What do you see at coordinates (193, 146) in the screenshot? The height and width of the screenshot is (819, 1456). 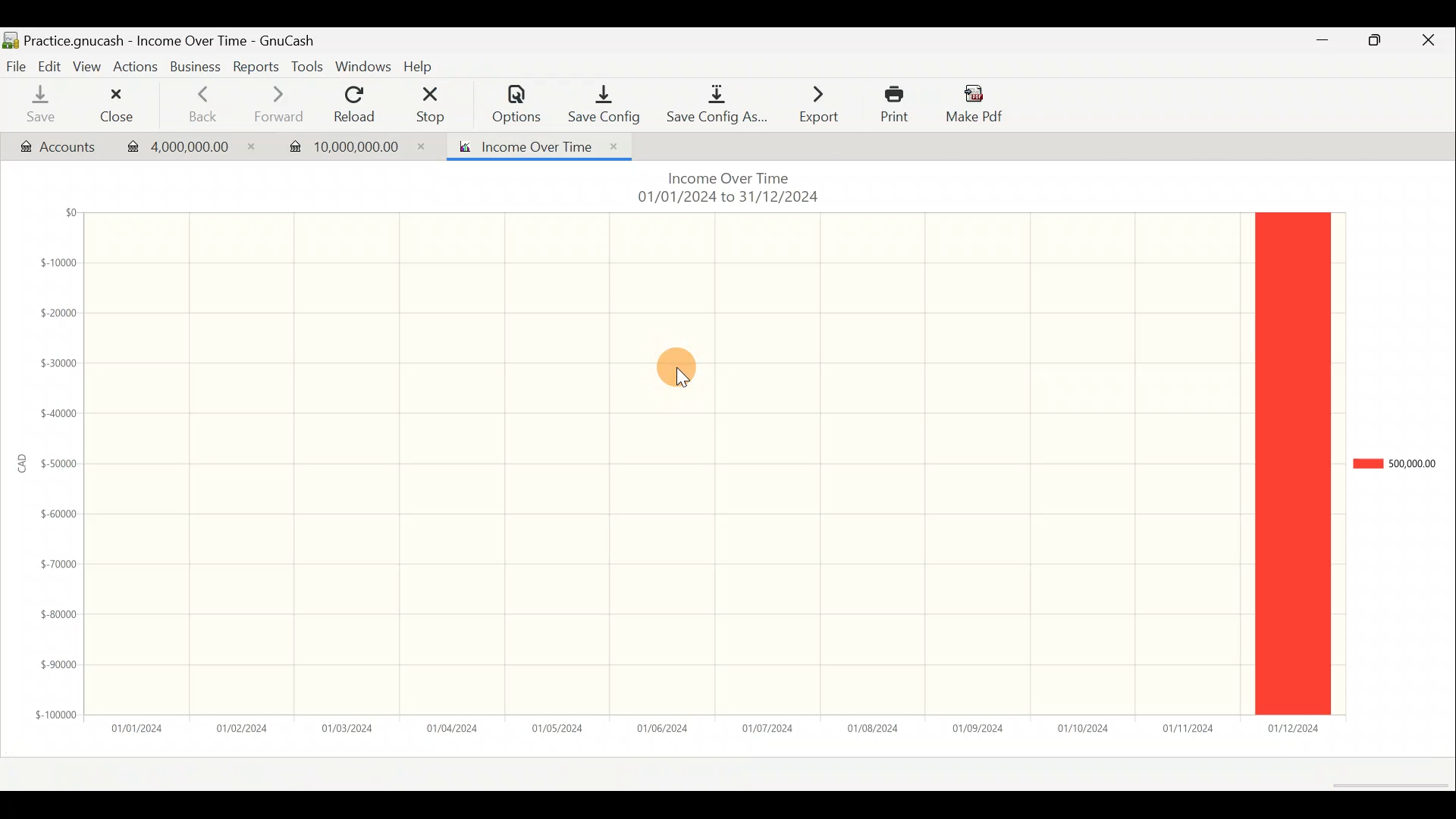 I see `4,000,000.00` at bounding box center [193, 146].